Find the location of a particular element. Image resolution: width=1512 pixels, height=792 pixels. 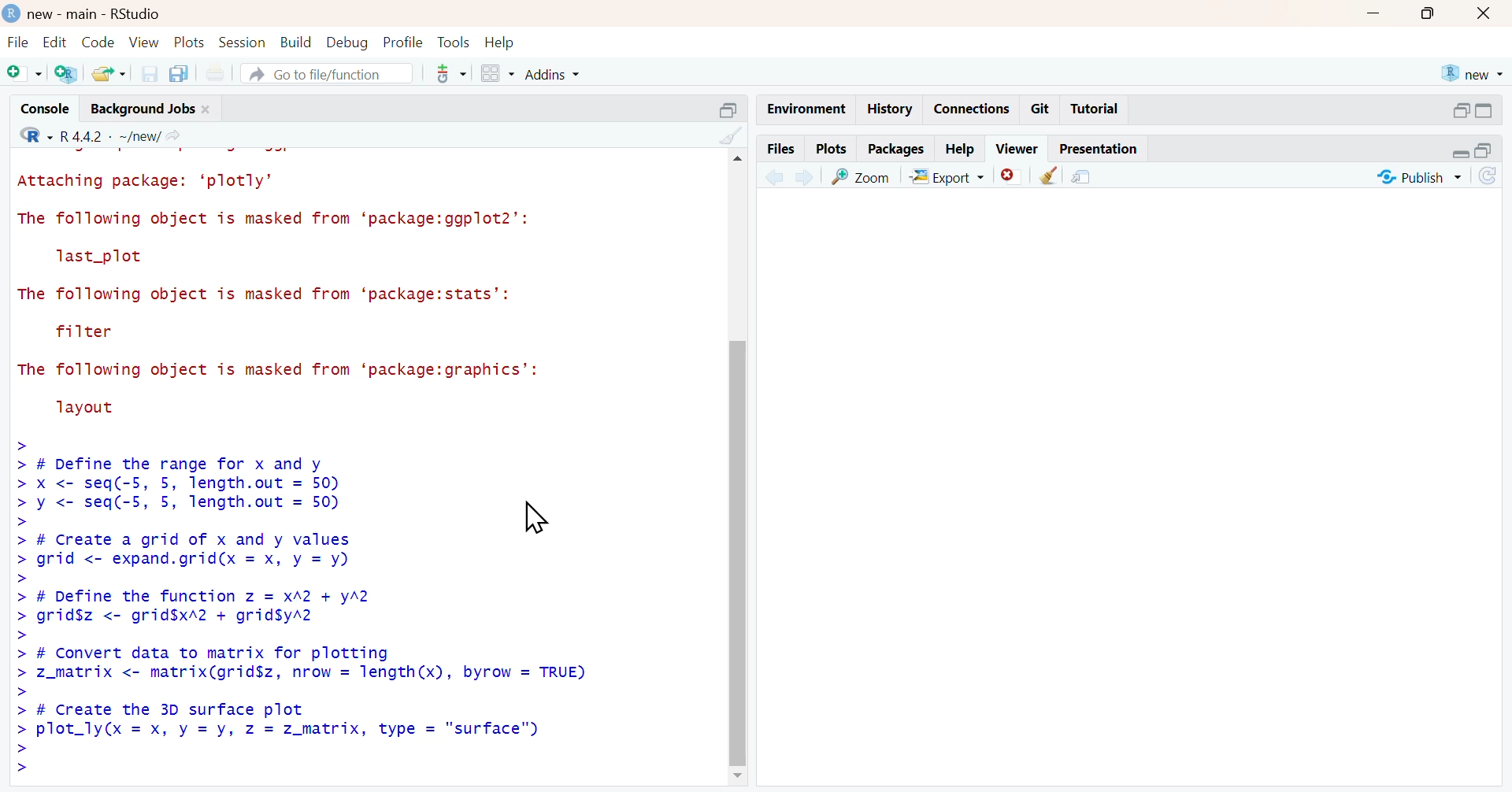

> grid$z <- grid$xA2 + grid$yA2 is located at coordinates (183, 616).